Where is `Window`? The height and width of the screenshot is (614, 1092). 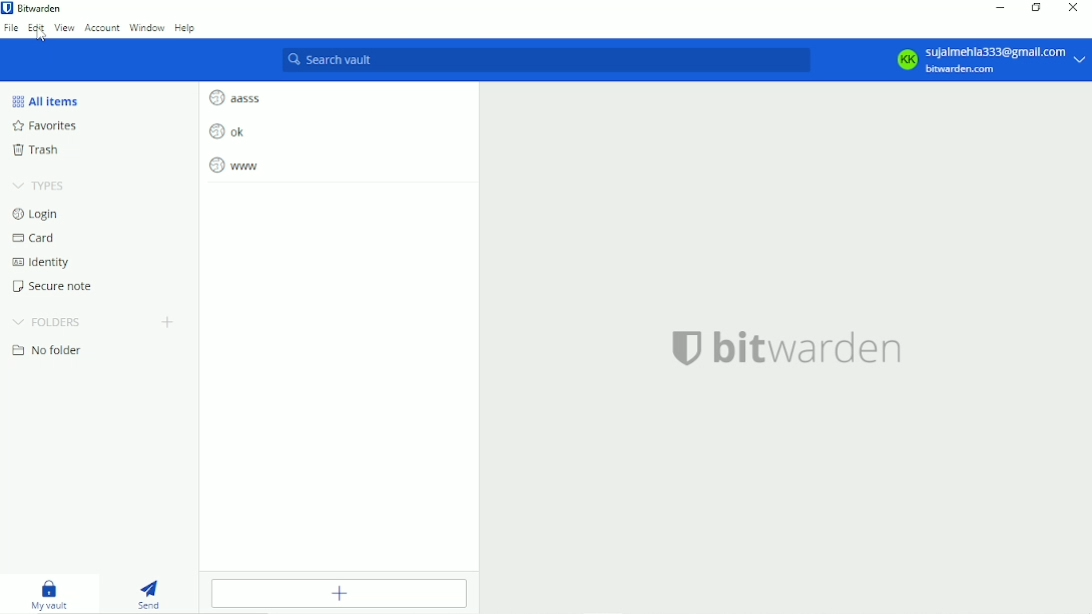 Window is located at coordinates (147, 28).